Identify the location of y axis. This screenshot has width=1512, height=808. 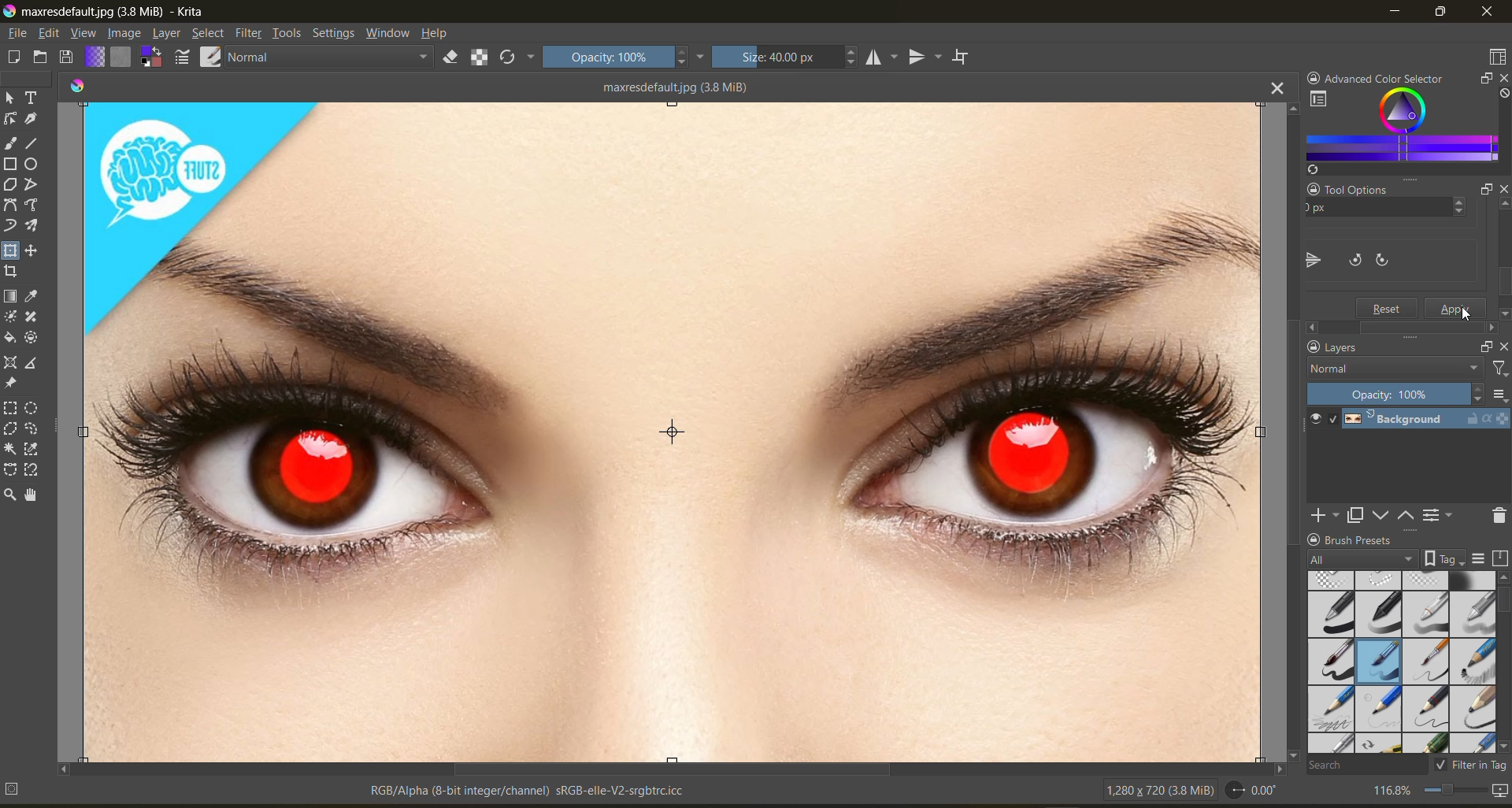
(1409, 209).